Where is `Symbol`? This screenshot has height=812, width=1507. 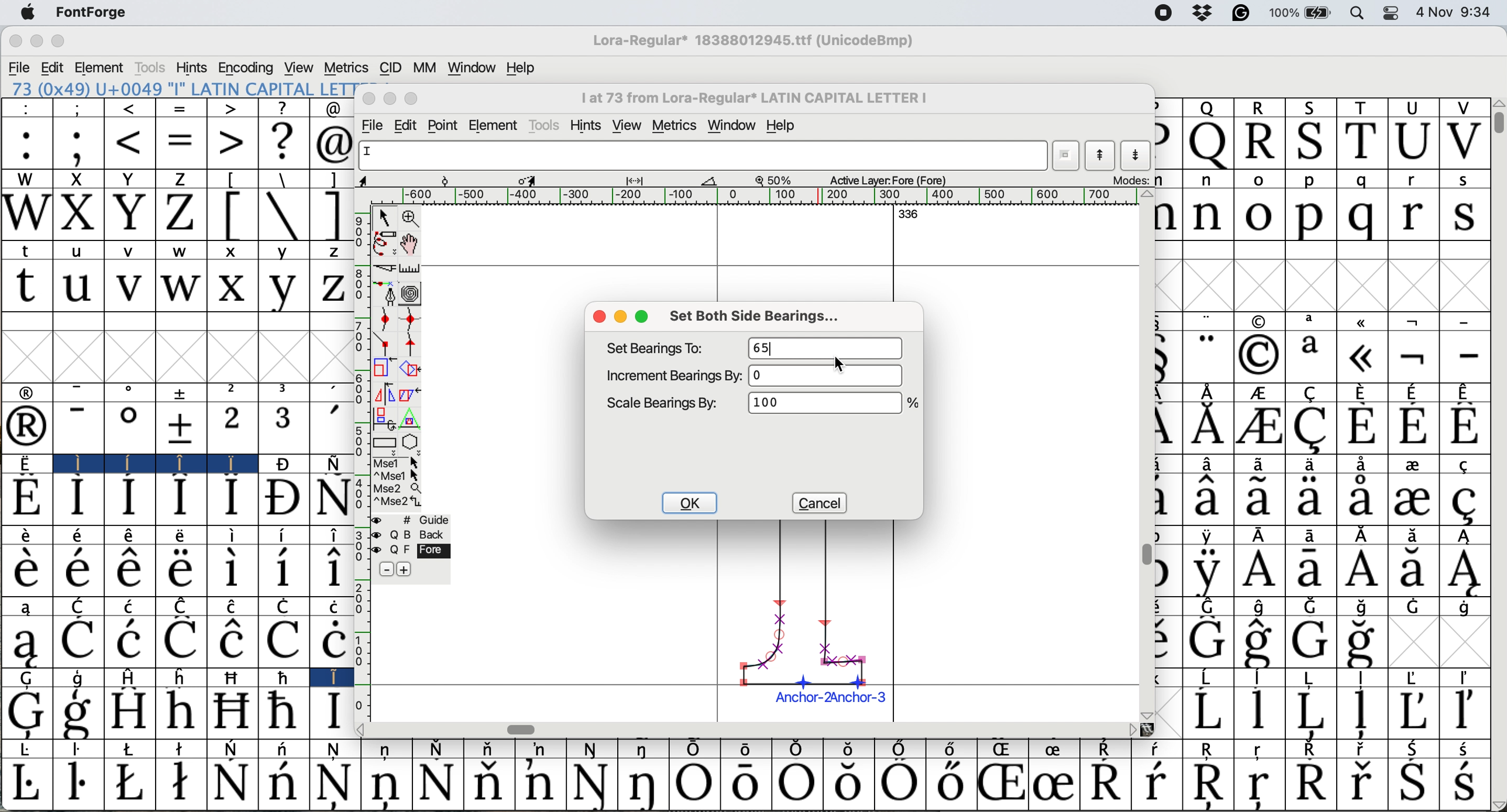 Symbol is located at coordinates (1000, 785).